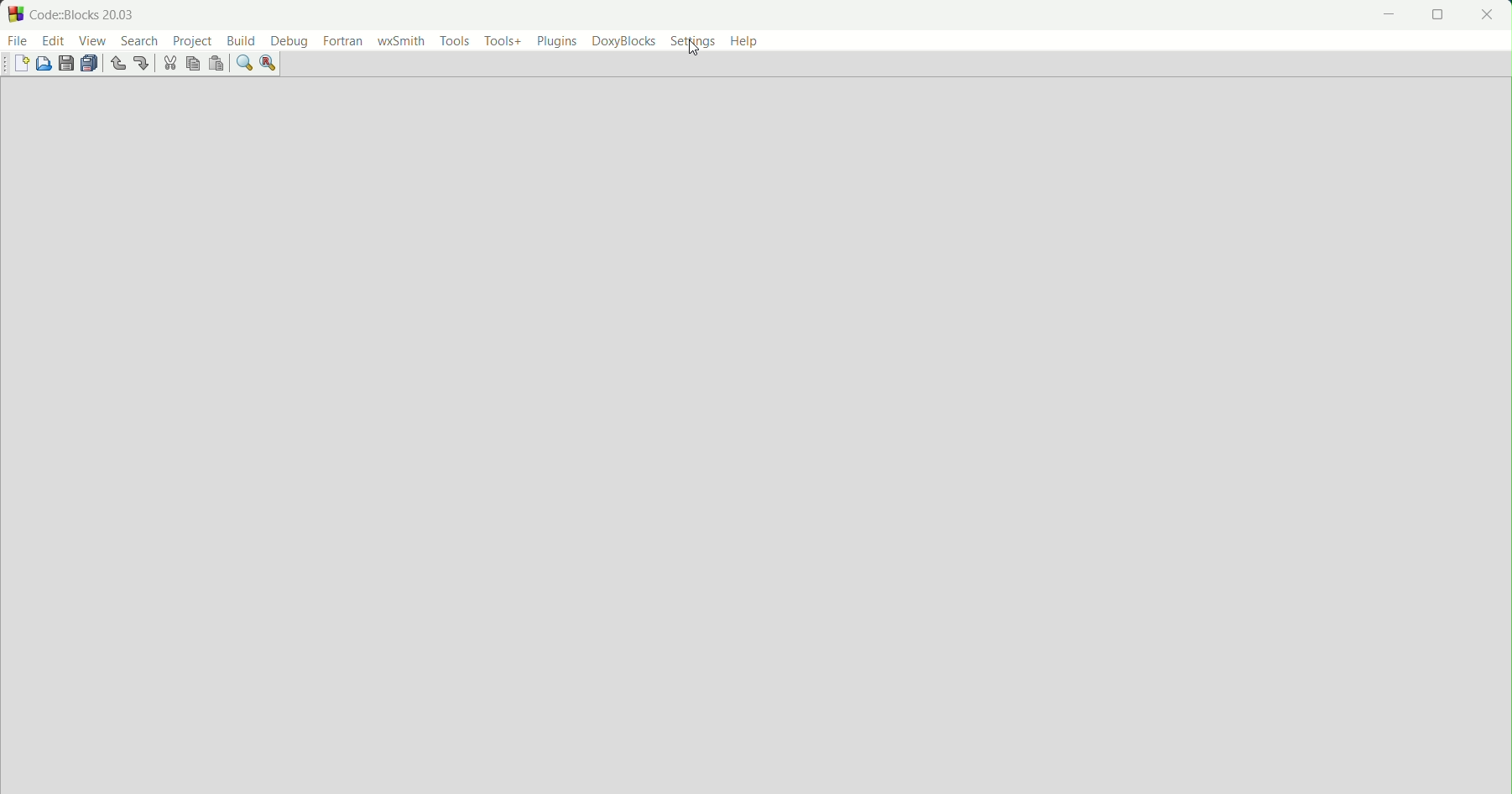  Describe the element at coordinates (191, 42) in the screenshot. I see `project` at that location.